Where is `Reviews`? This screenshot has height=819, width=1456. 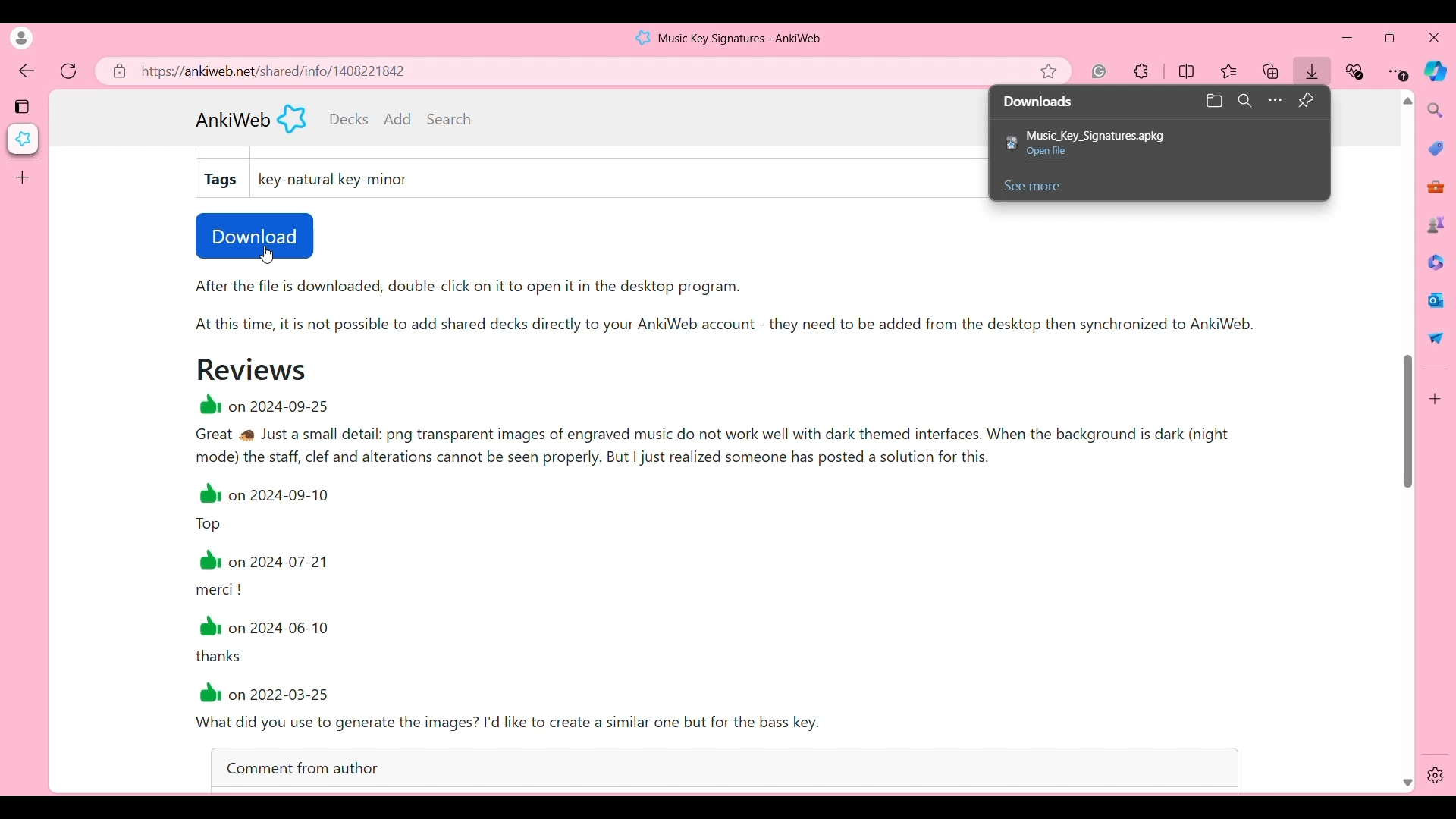 Reviews is located at coordinates (252, 369).